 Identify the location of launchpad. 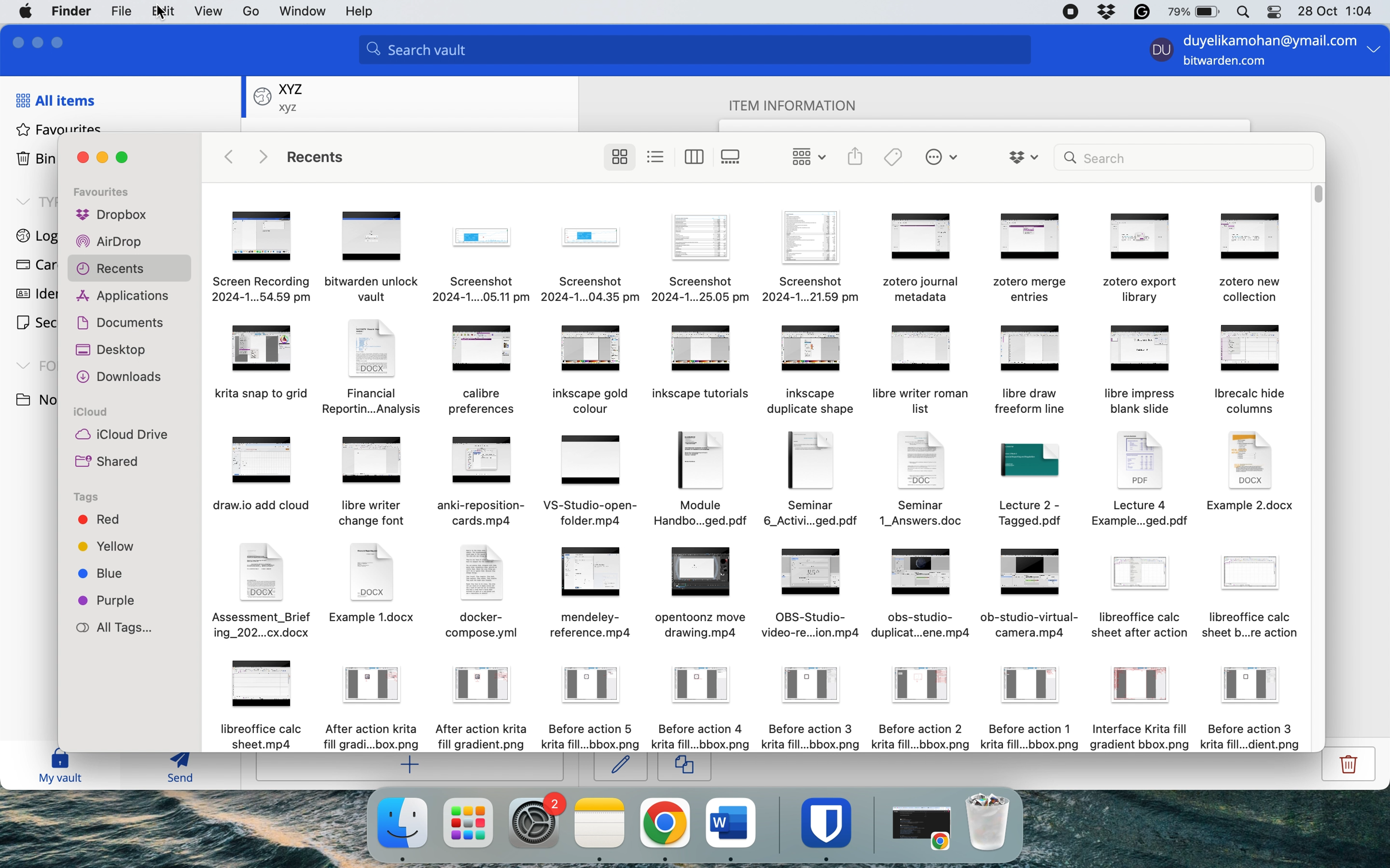
(468, 822).